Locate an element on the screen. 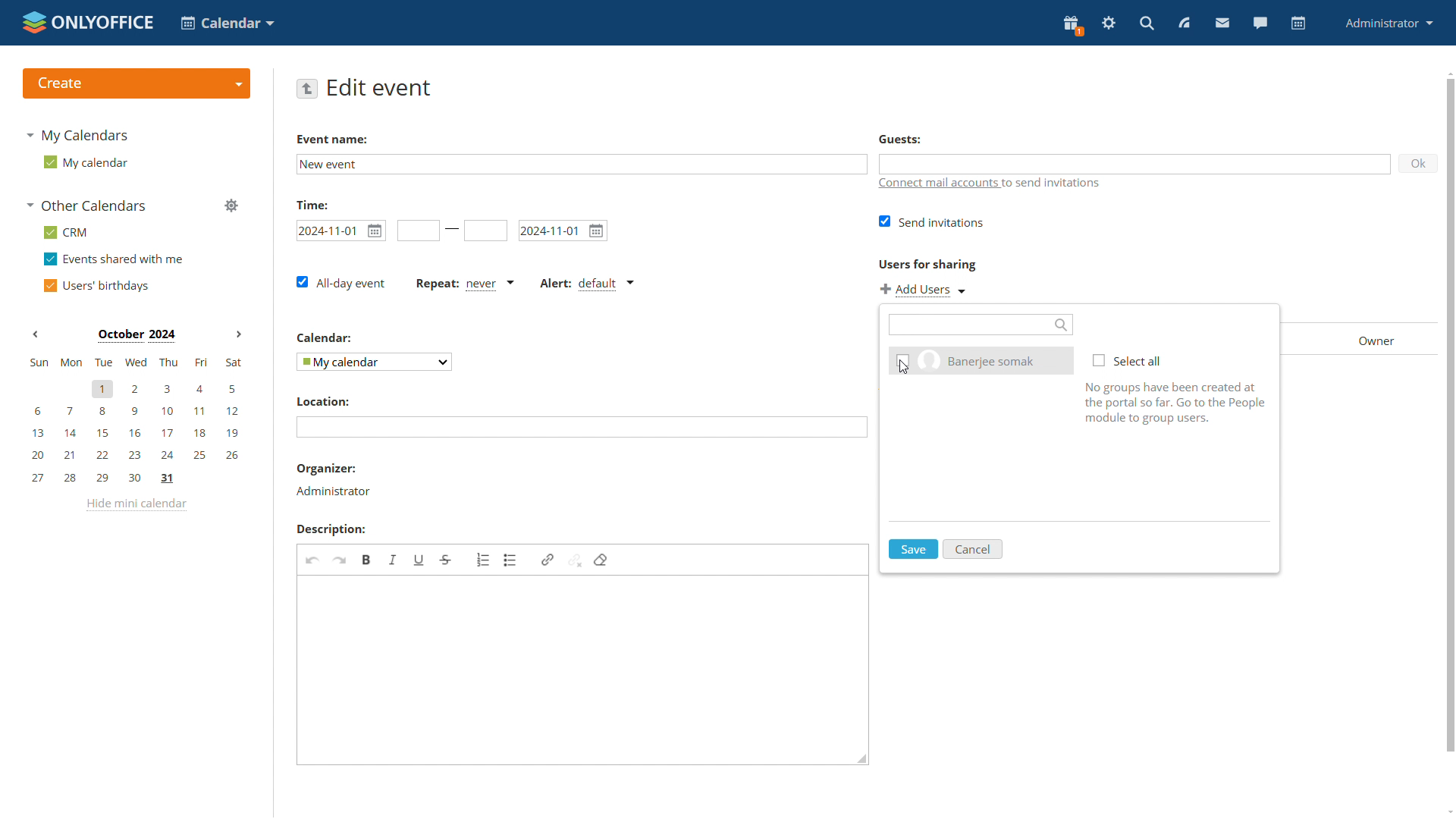 This screenshot has width=1456, height=819. Next month is located at coordinates (236, 335).